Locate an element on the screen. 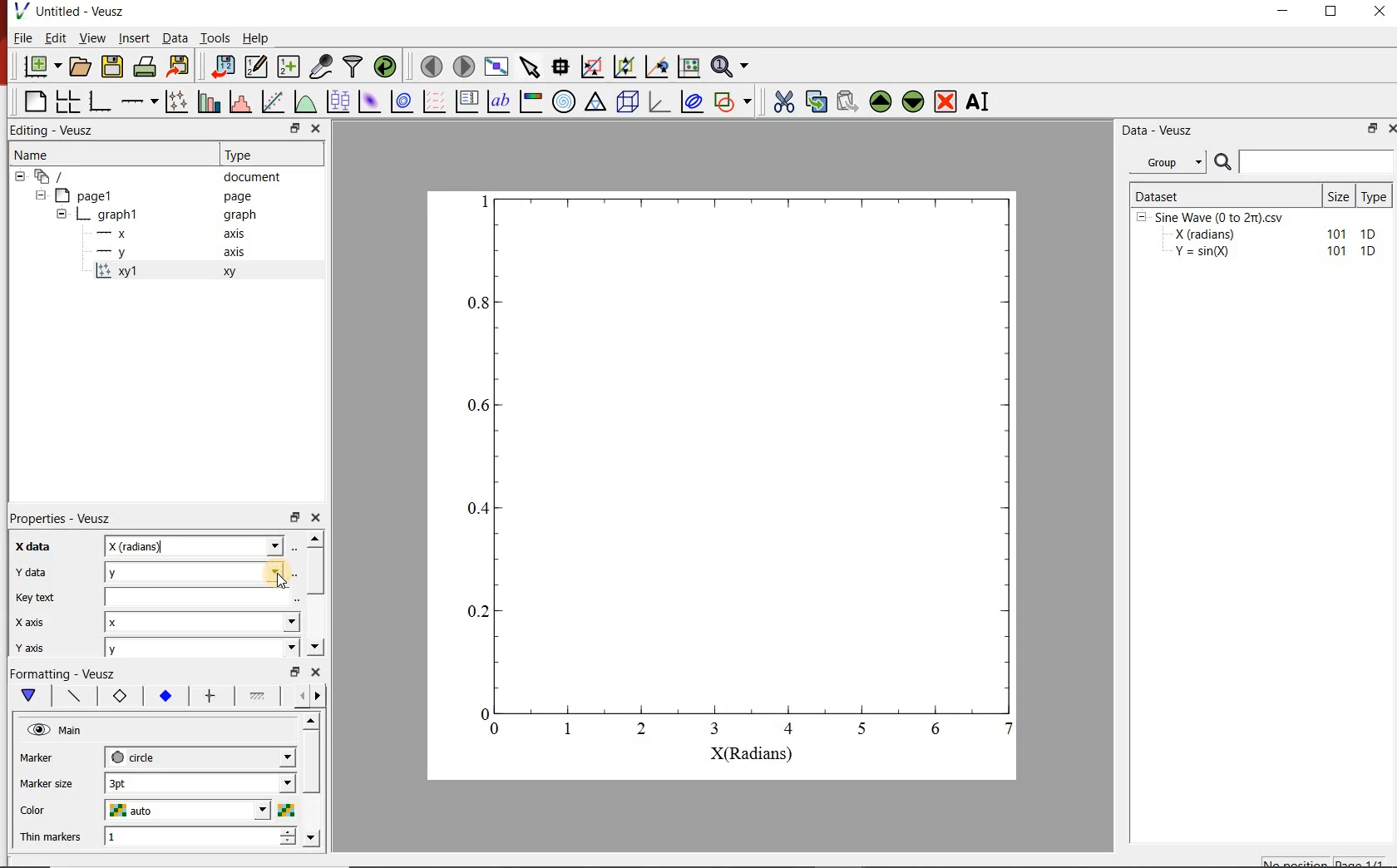 The width and height of the screenshot is (1397, 868). add an axis is located at coordinates (139, 101).